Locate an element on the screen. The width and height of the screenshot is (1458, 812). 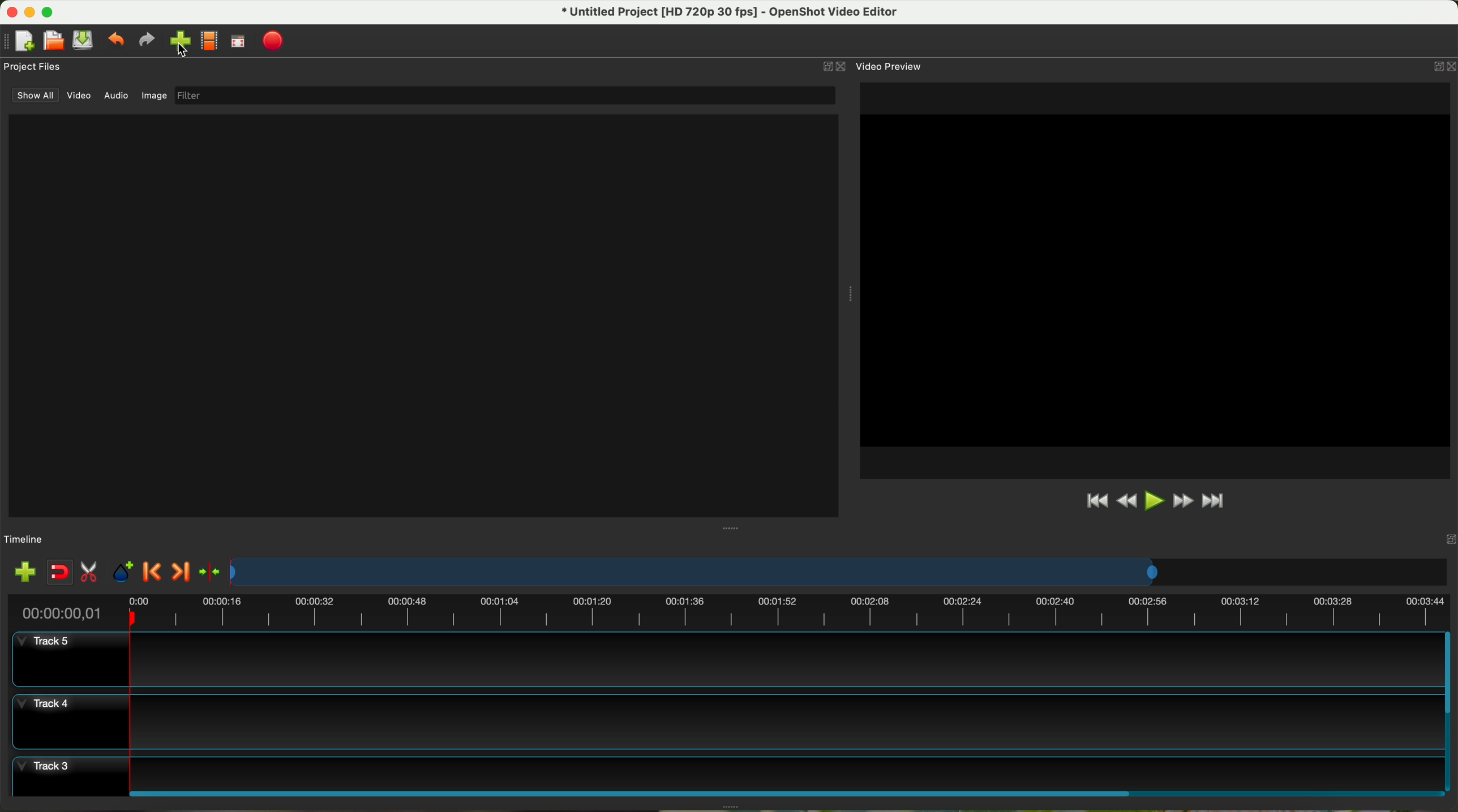
video is located at coordinates (80, 96).